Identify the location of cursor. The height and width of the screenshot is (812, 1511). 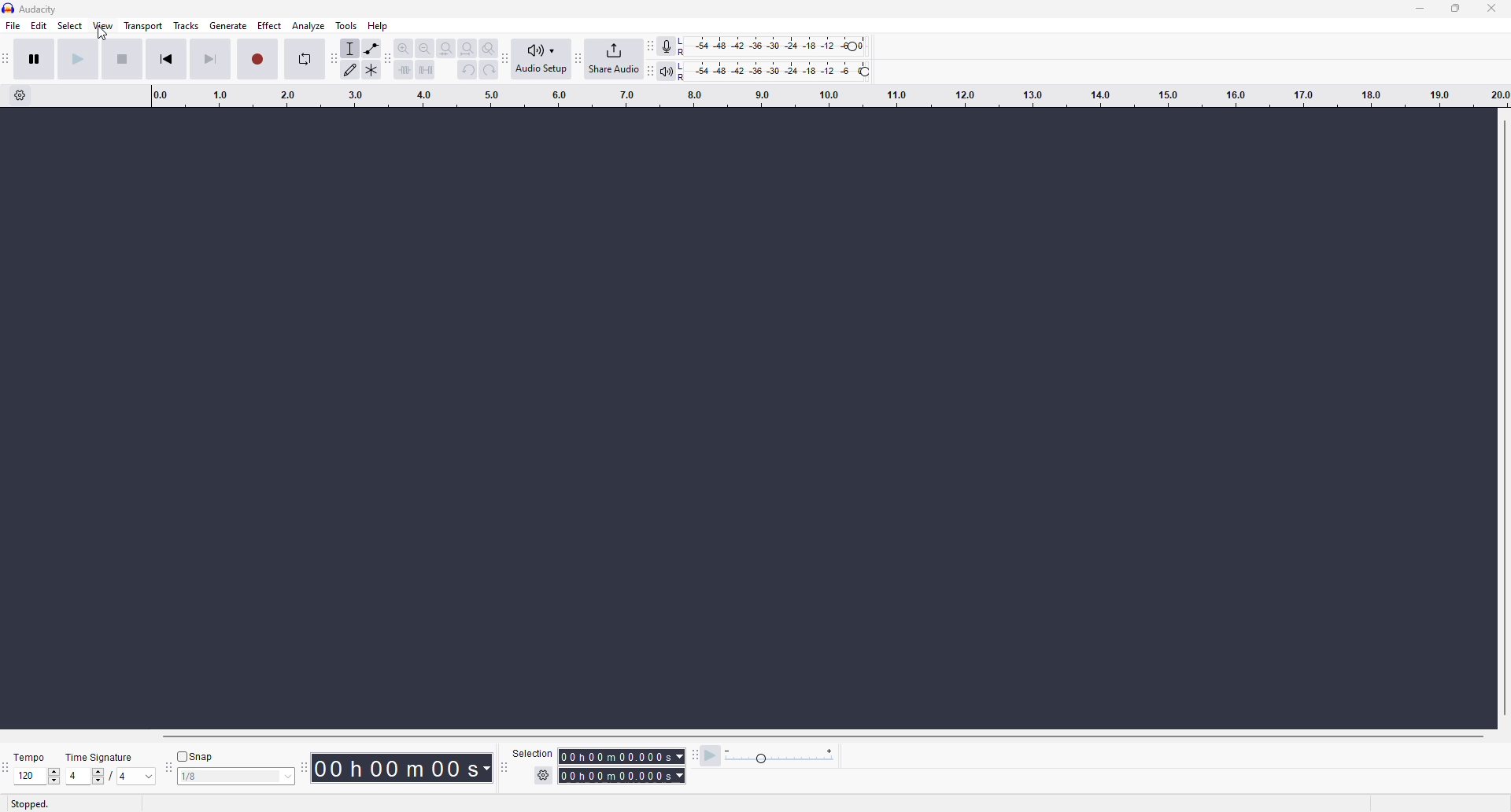
(105, 35).